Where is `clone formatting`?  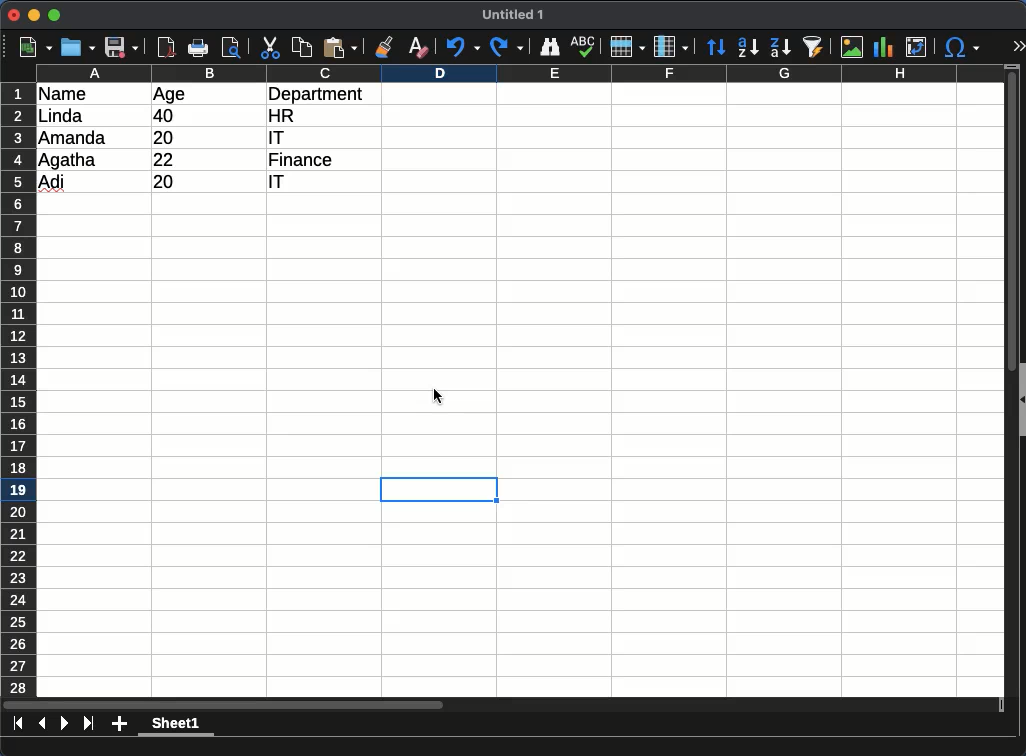 clone formatting is located at coordinates (386, 46).